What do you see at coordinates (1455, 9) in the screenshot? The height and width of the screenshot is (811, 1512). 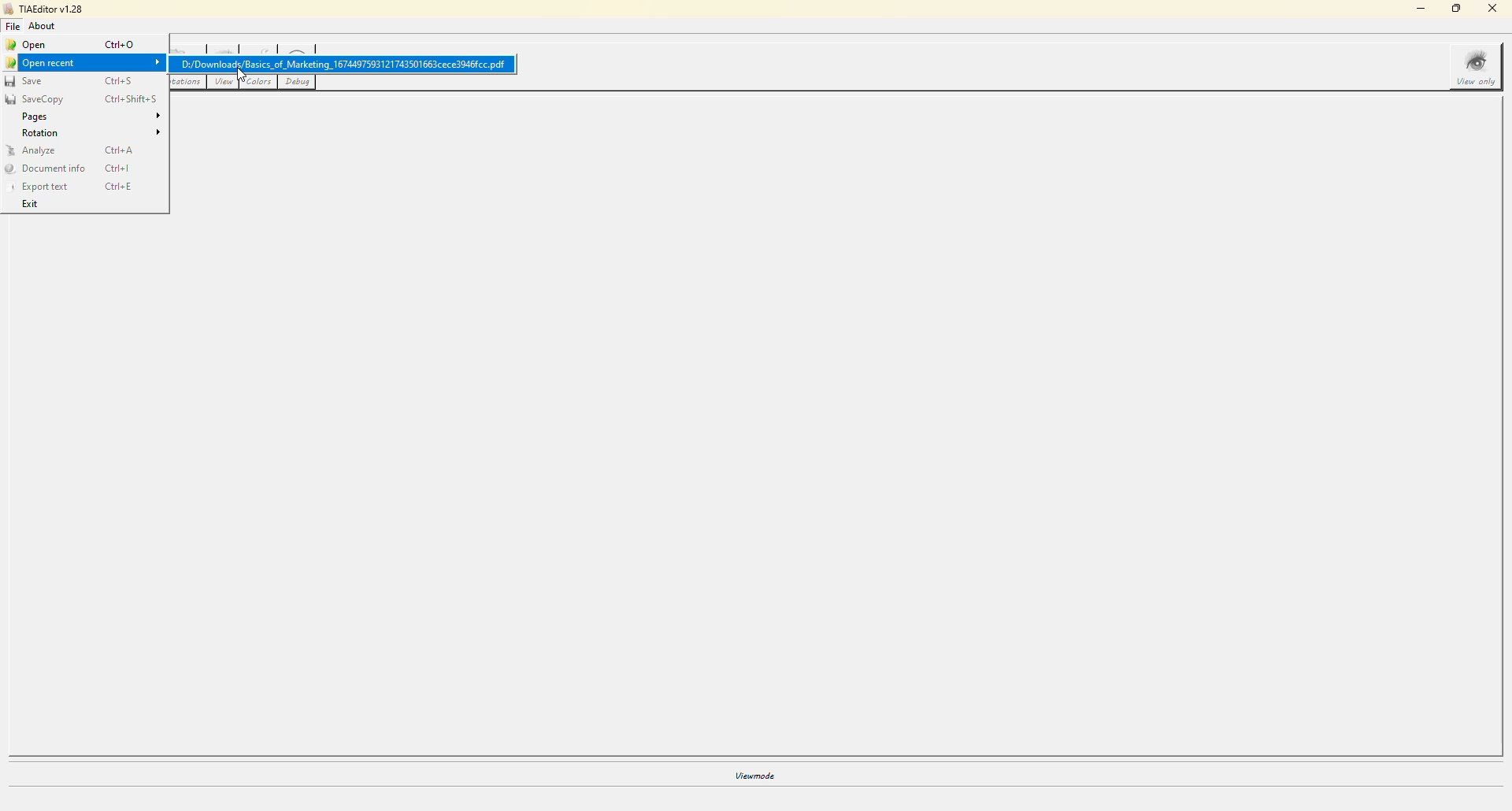 I see `maximize` at bounding box center [1455, 9].